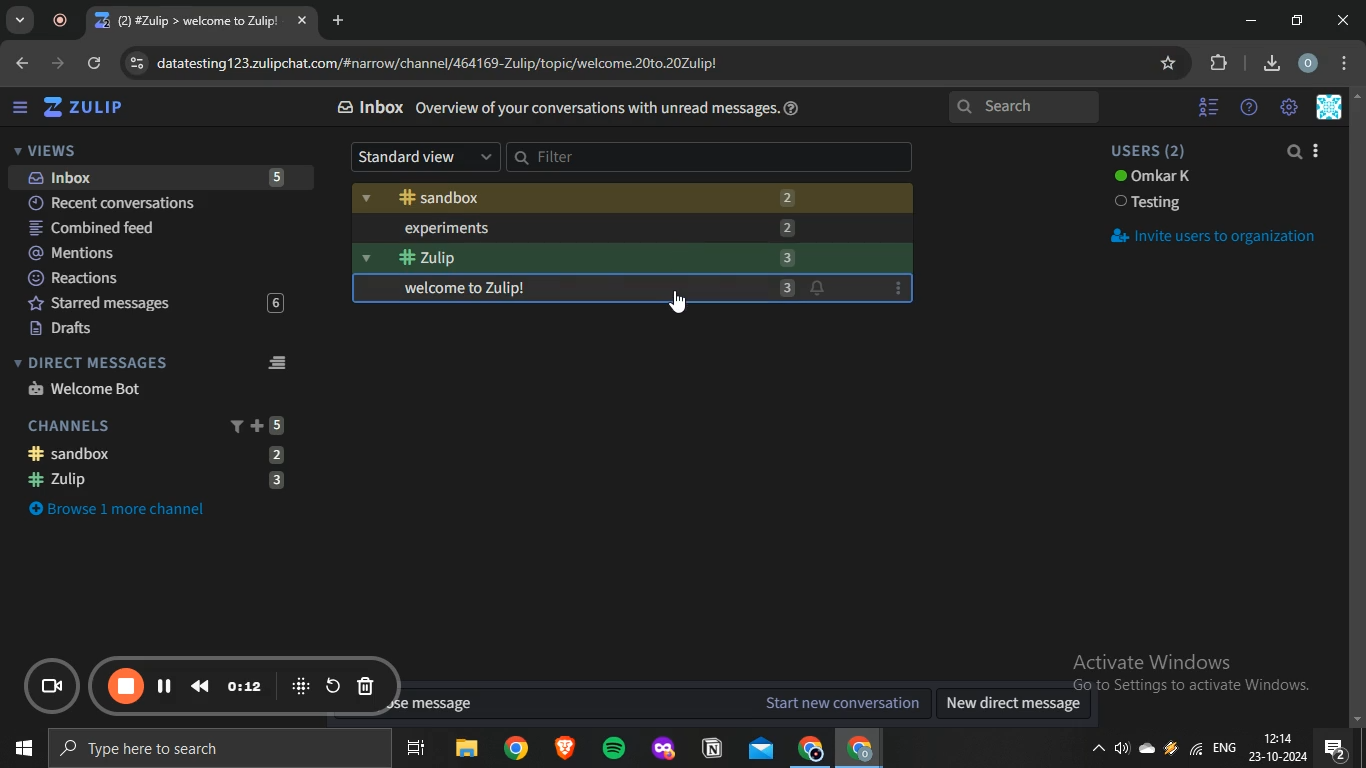 This screenshot has height=768, width=1366. Describe the element at coordinates (515, 749) in the screenshot. I see `google chrome` at that location.